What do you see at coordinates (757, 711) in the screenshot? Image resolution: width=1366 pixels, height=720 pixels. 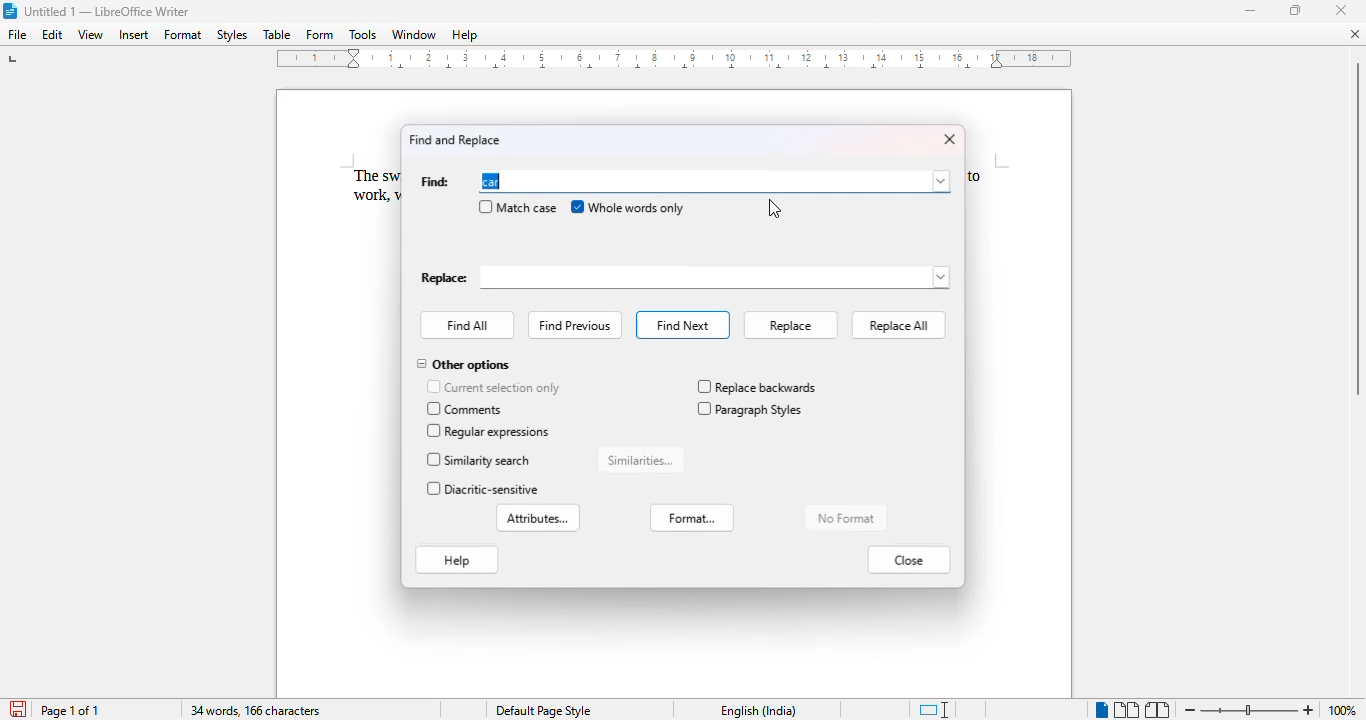 I see `English (India)` at bounding box center [757, 711].